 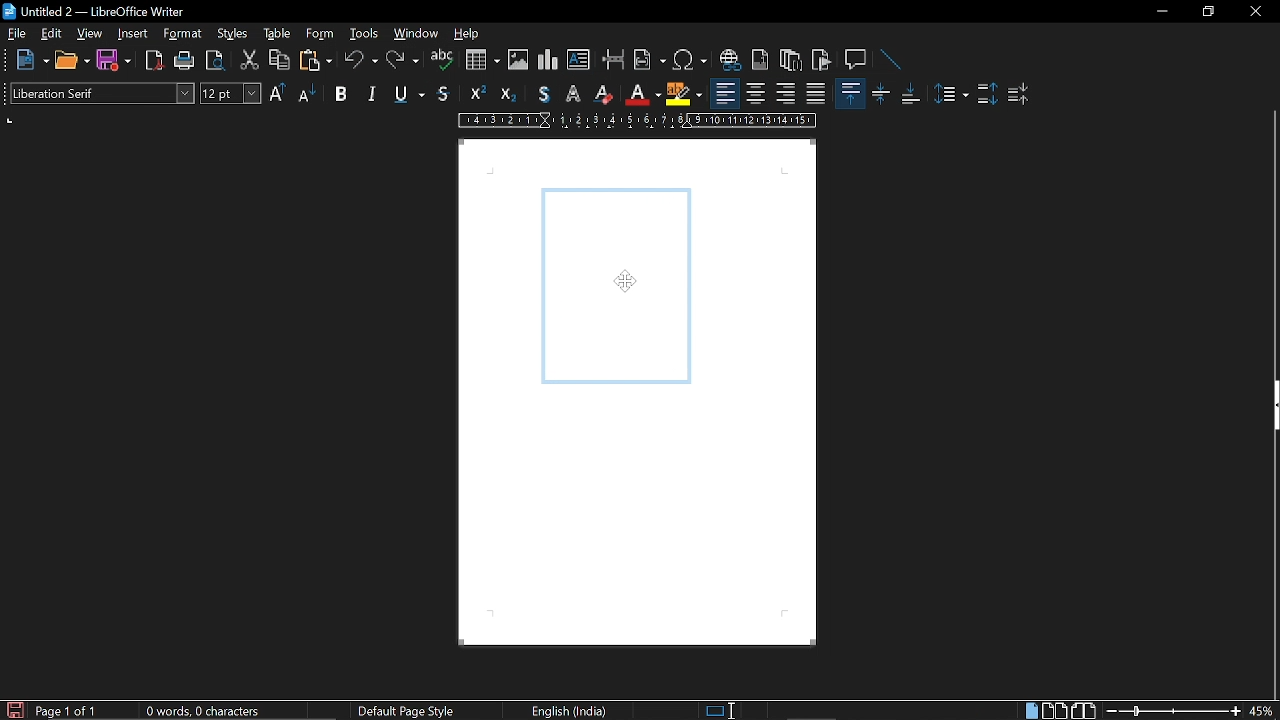 I want to click on Default: page style, so click(x=406, y=712).